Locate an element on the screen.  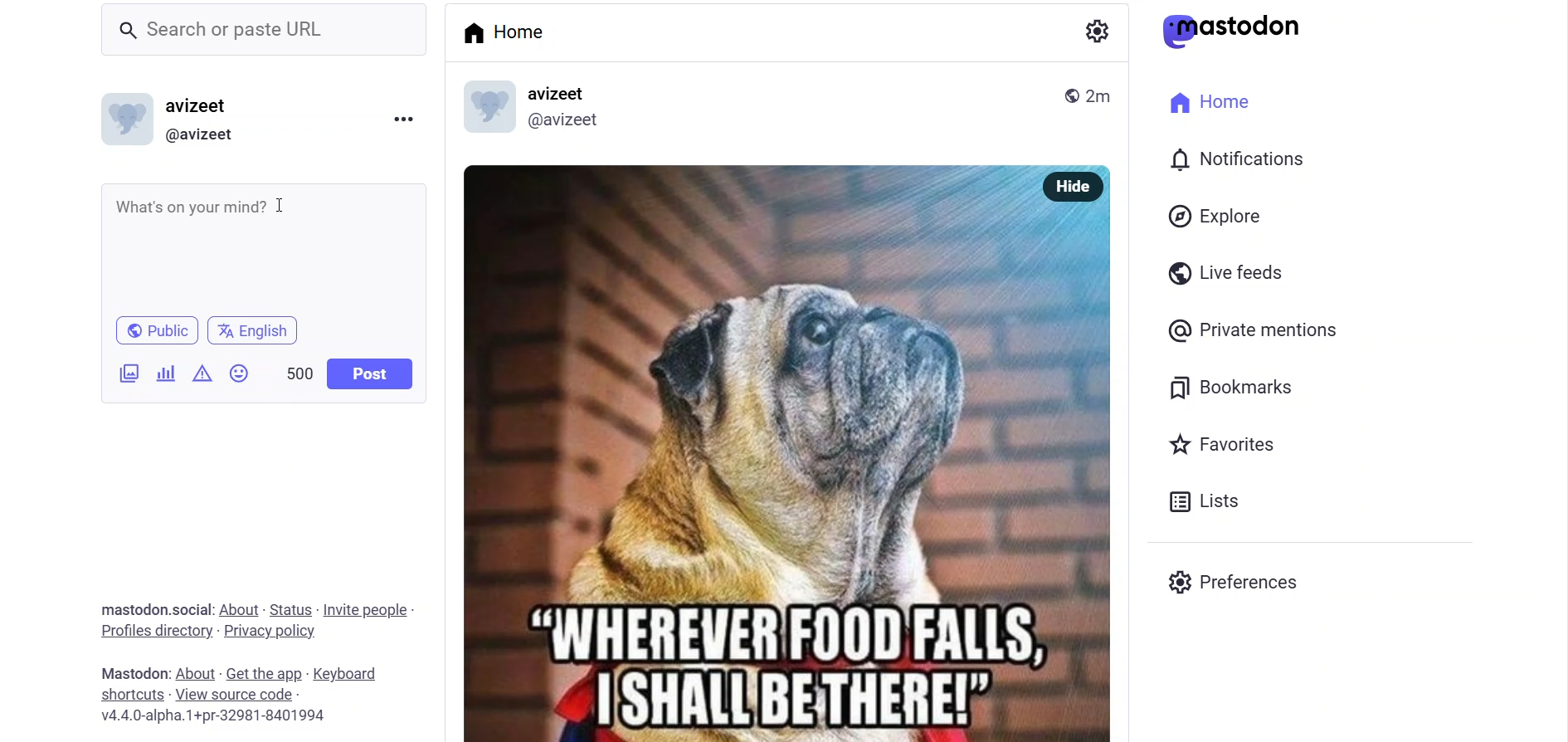
private mention is located at coordinates (1259, 332).